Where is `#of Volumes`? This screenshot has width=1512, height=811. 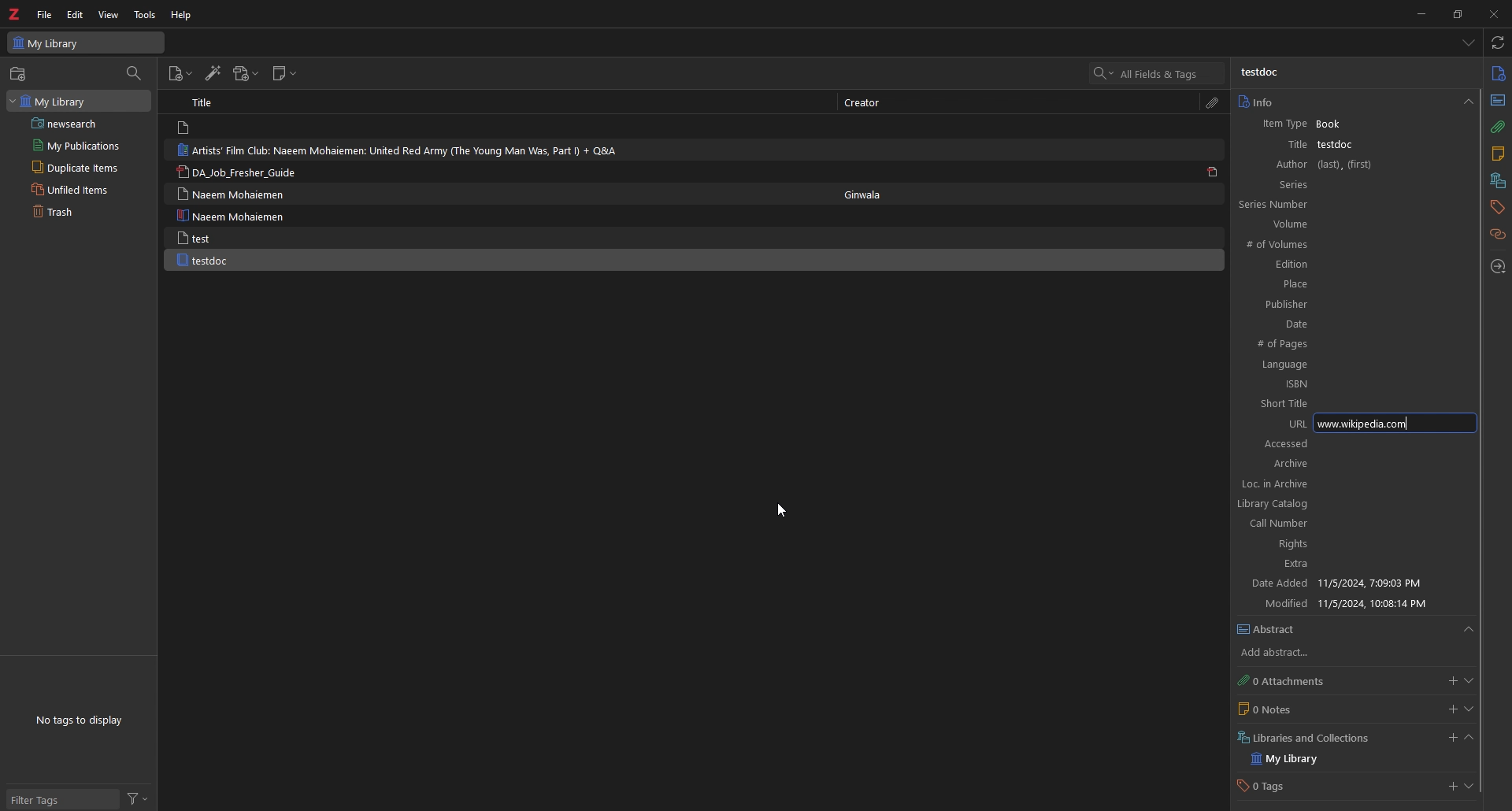
#of Volumes is located at coordinates (1323, 245).